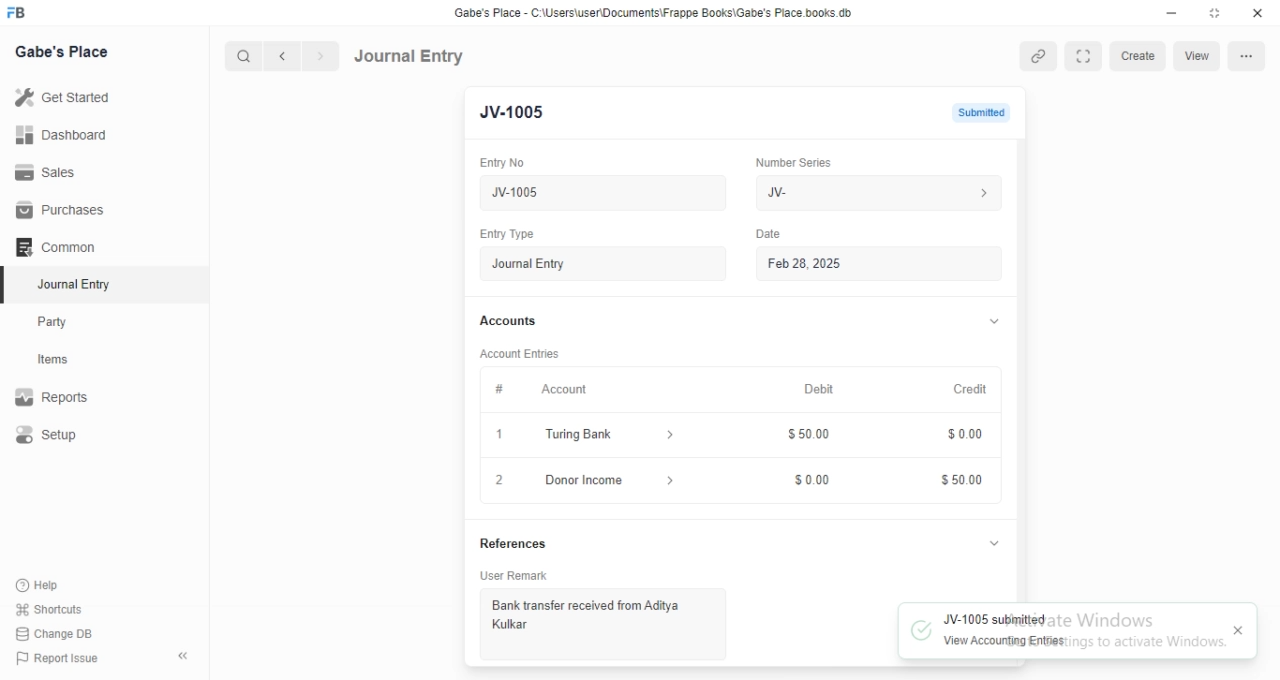 The height and width of the screenshot is (680, 1280). I want to click on next, so click(318, 57).